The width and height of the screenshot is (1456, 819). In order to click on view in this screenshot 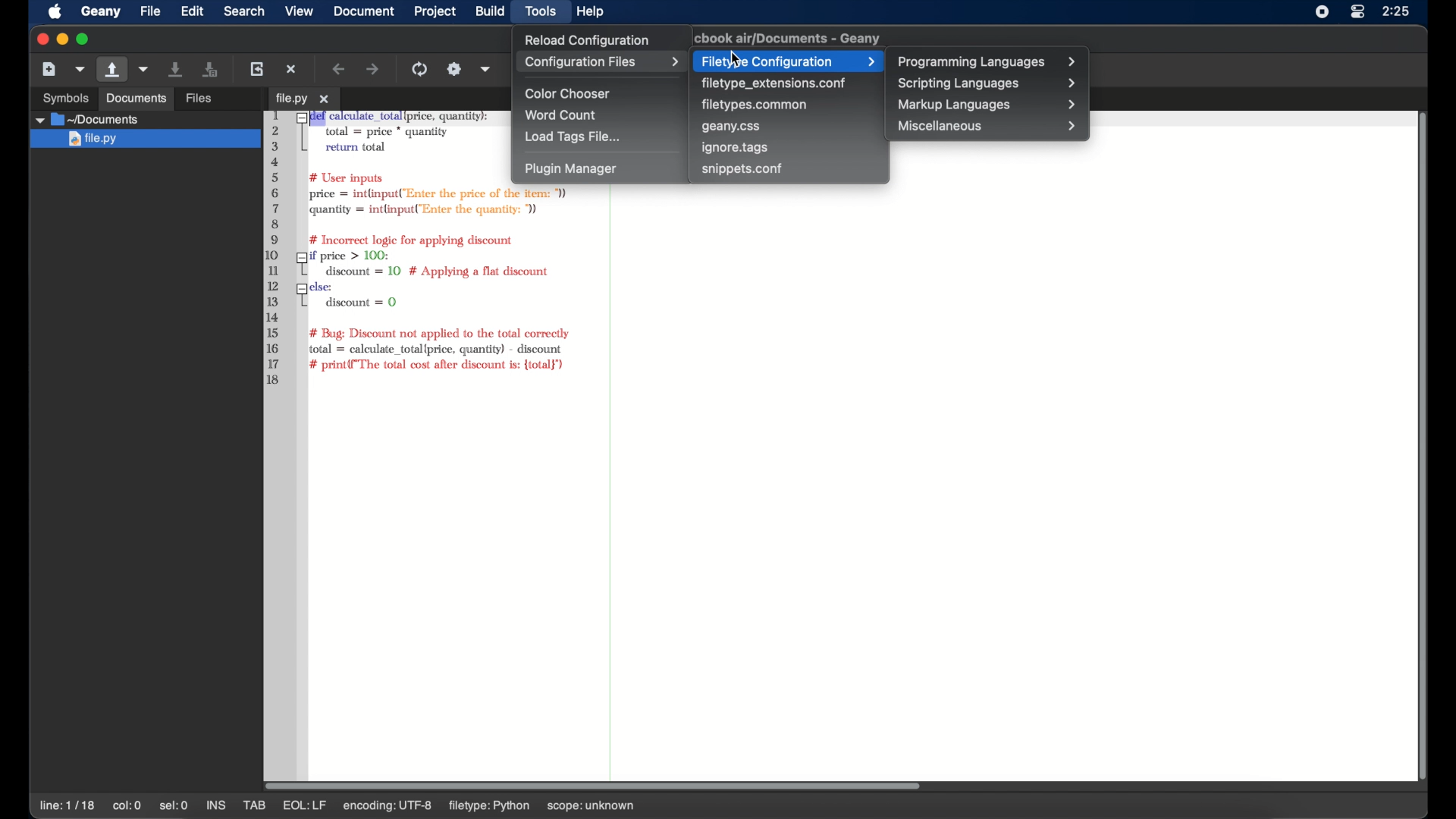, I will do `click(300, 11)`.